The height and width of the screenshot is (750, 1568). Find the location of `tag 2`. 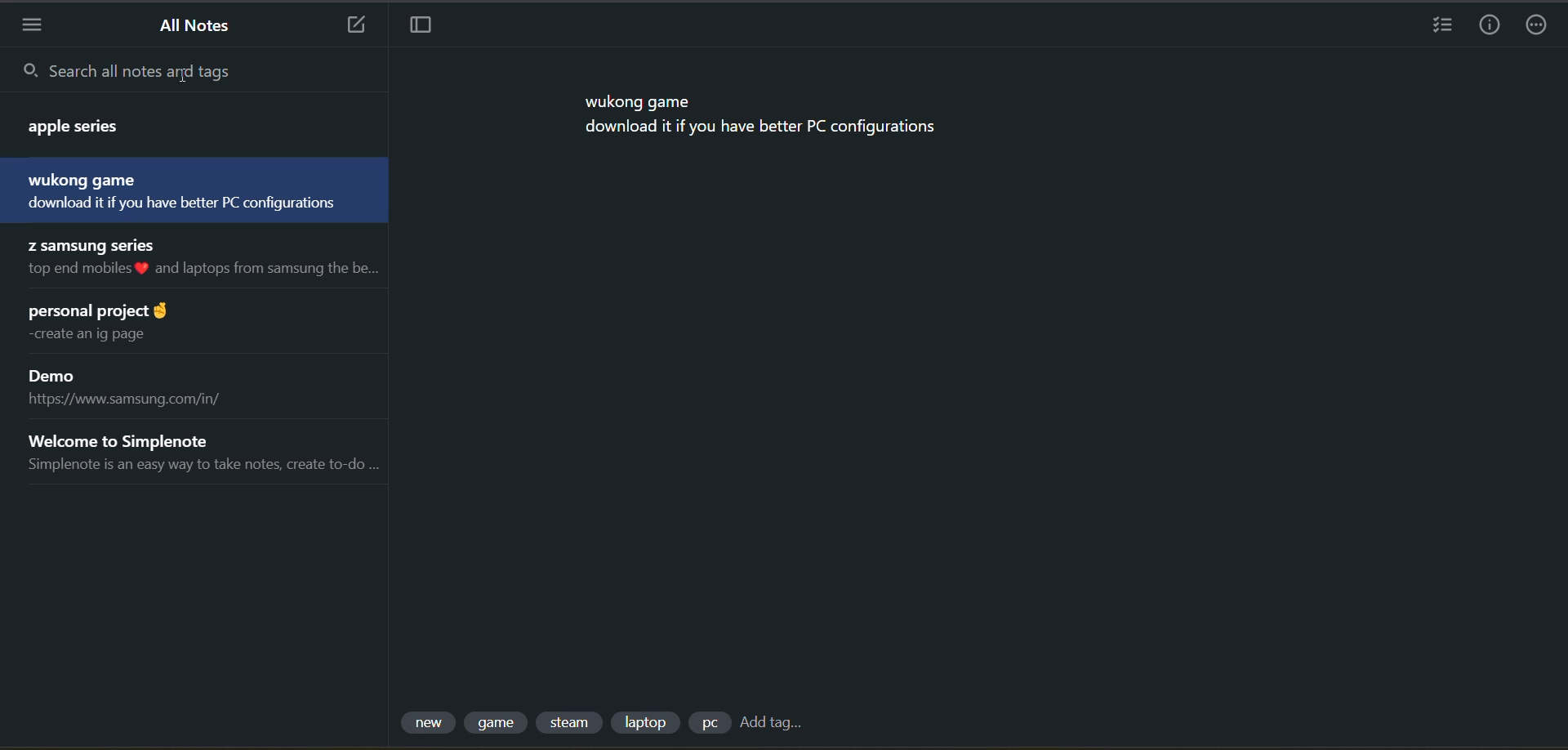

tag 2 is located at coordinates (500, 721).